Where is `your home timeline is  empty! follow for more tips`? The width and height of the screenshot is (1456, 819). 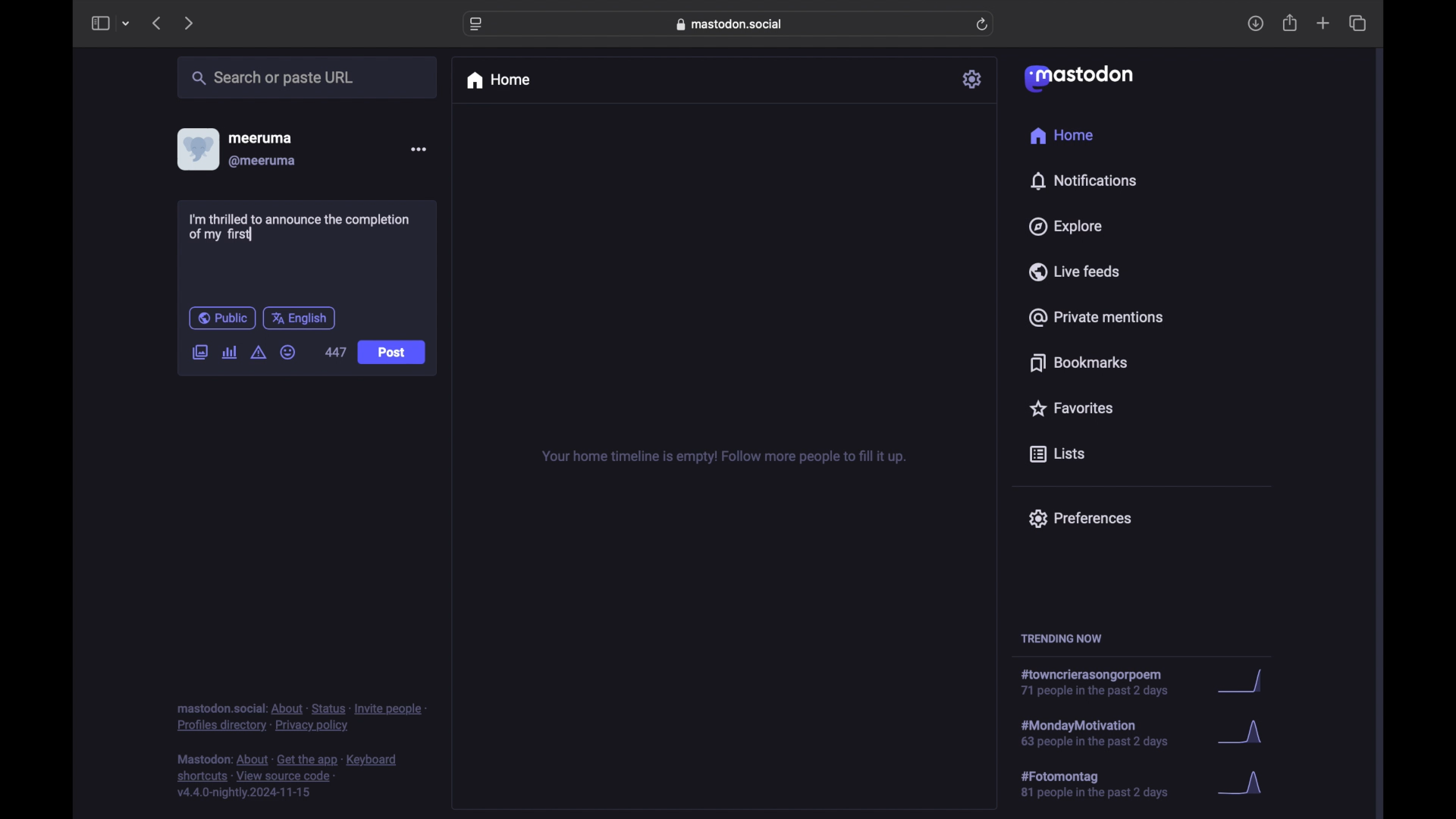 your home timeline is  empty! follow for more tips is located at coordinates (722, 457).